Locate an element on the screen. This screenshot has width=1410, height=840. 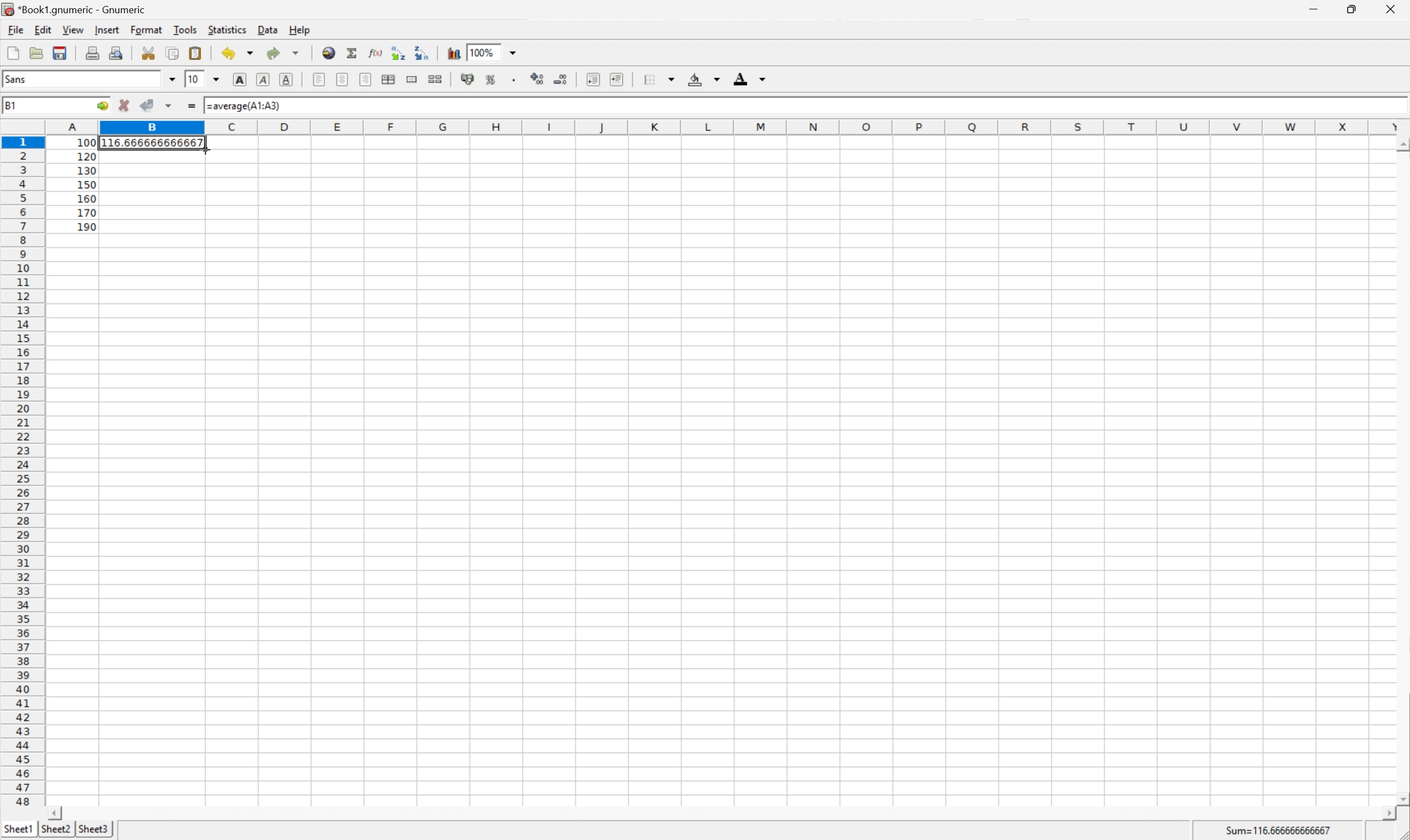
Tools is located at coordinates (188, 30).